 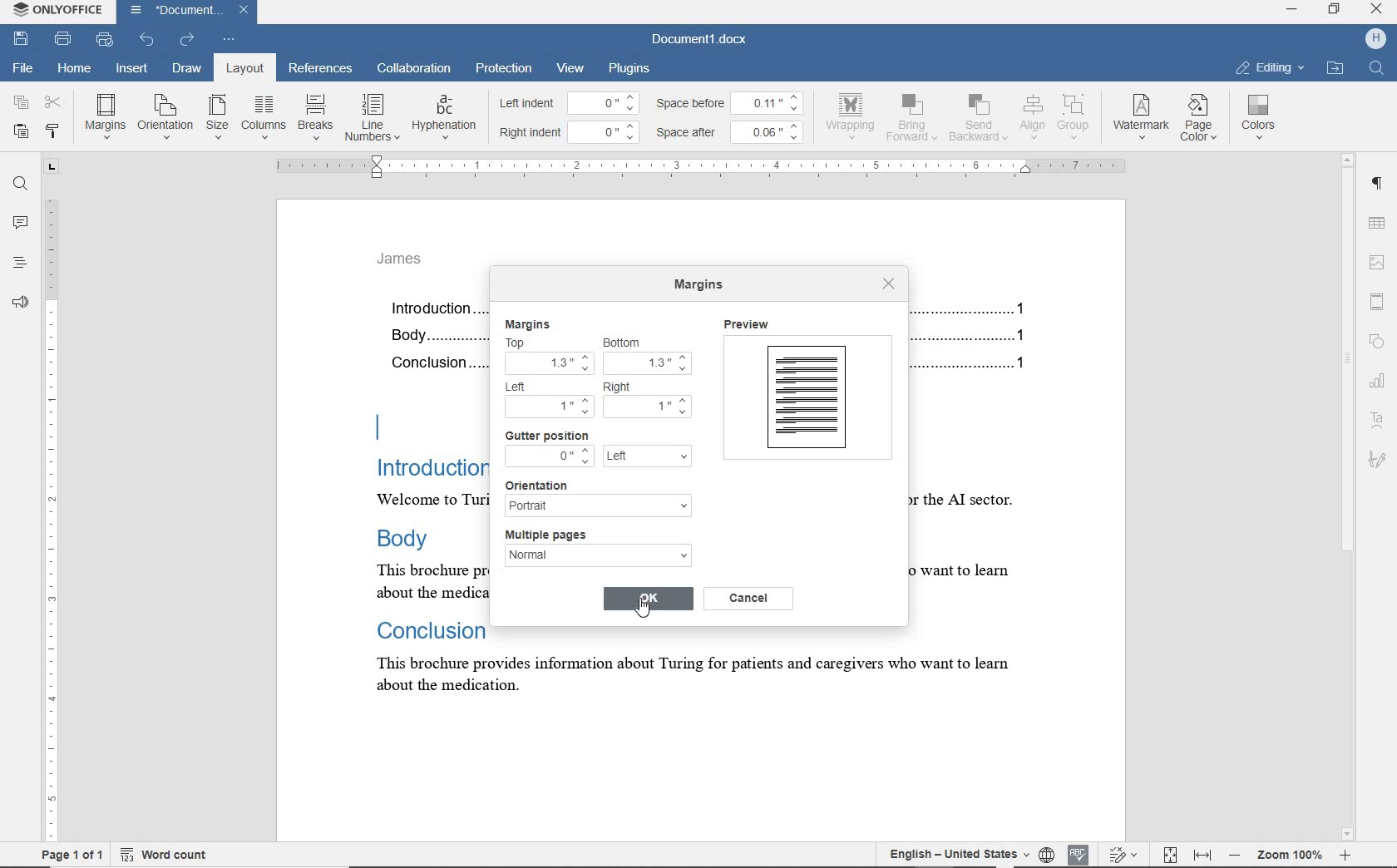 I want to click on header & footer, so click(x=1381, y=303).